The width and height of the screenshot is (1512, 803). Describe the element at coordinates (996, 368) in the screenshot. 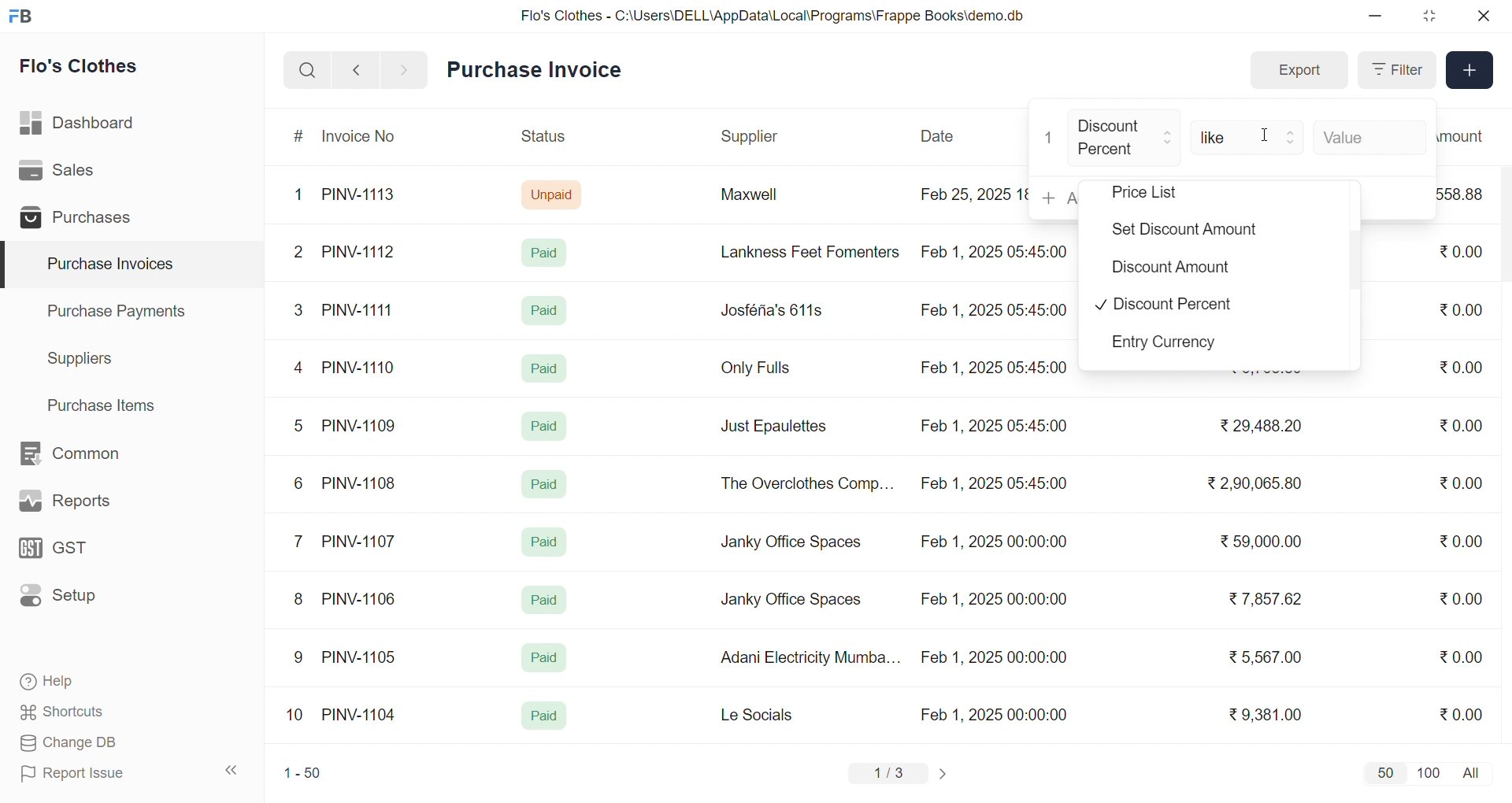

I see `Feb 1, 2025 05:45:00` at that location.